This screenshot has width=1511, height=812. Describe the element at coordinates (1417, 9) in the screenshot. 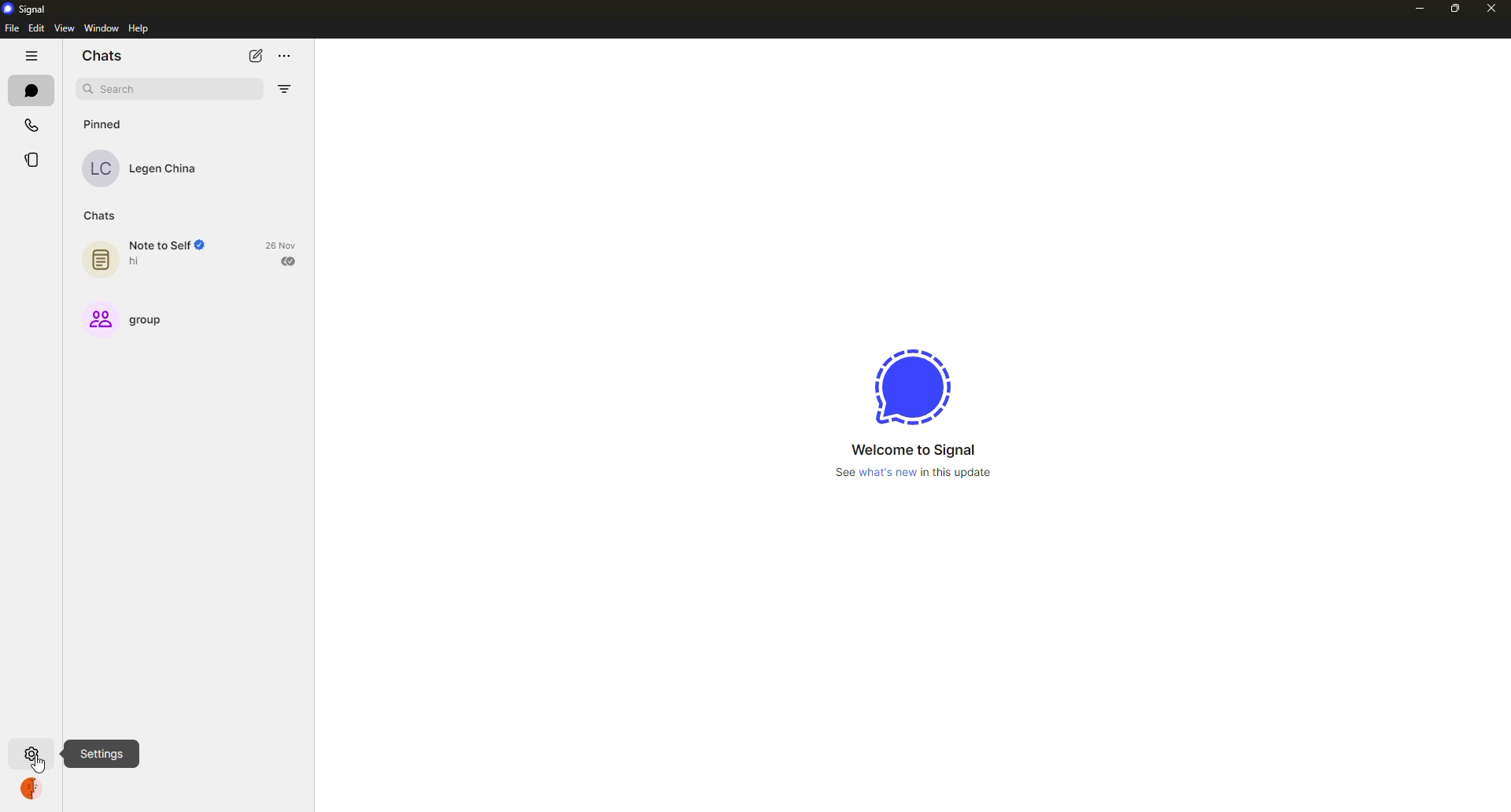

I see `minimize` at that location.